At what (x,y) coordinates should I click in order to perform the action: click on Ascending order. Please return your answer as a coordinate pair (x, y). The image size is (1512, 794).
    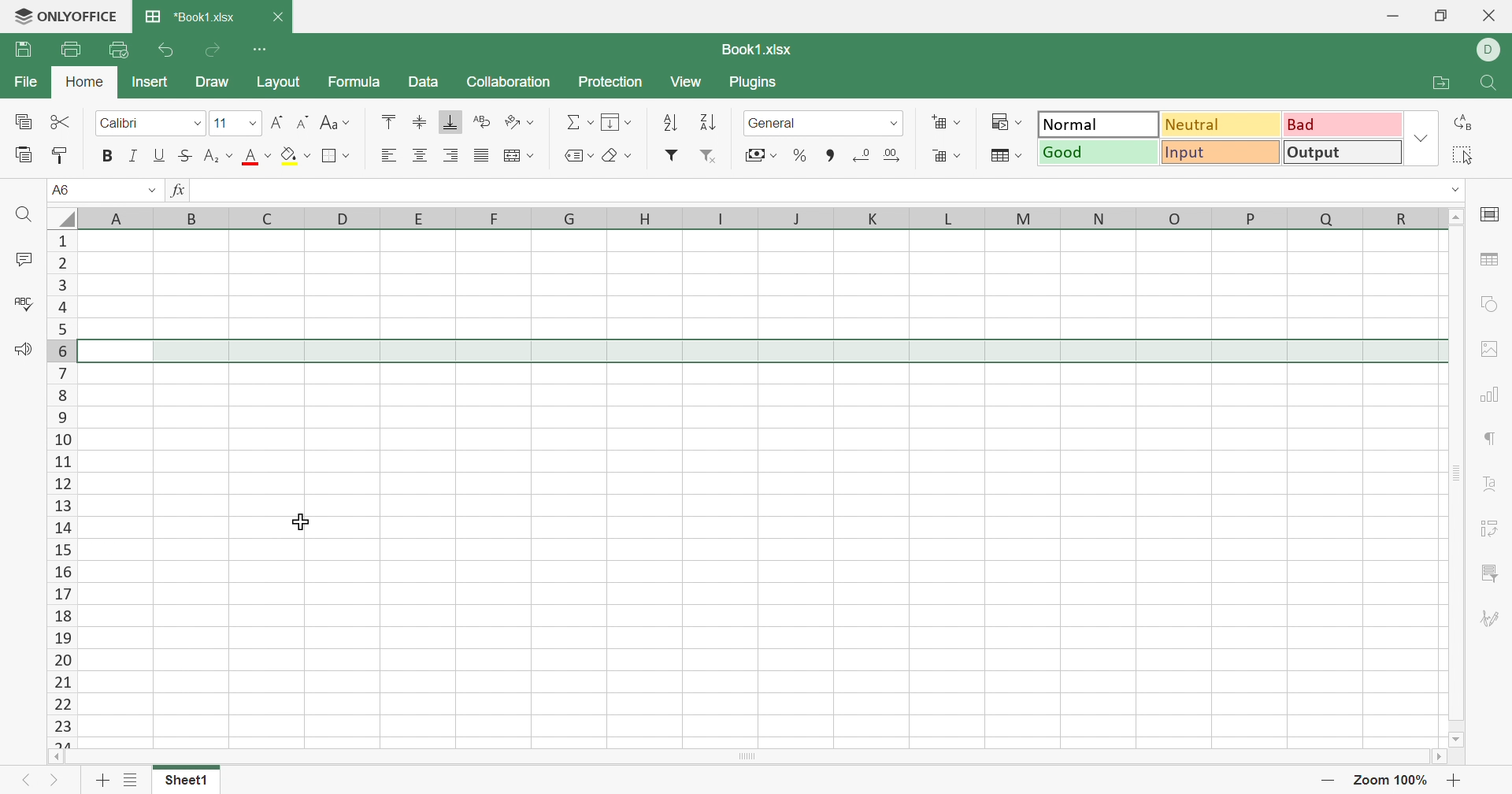
    Looking at the image, I should click on (670, 121).